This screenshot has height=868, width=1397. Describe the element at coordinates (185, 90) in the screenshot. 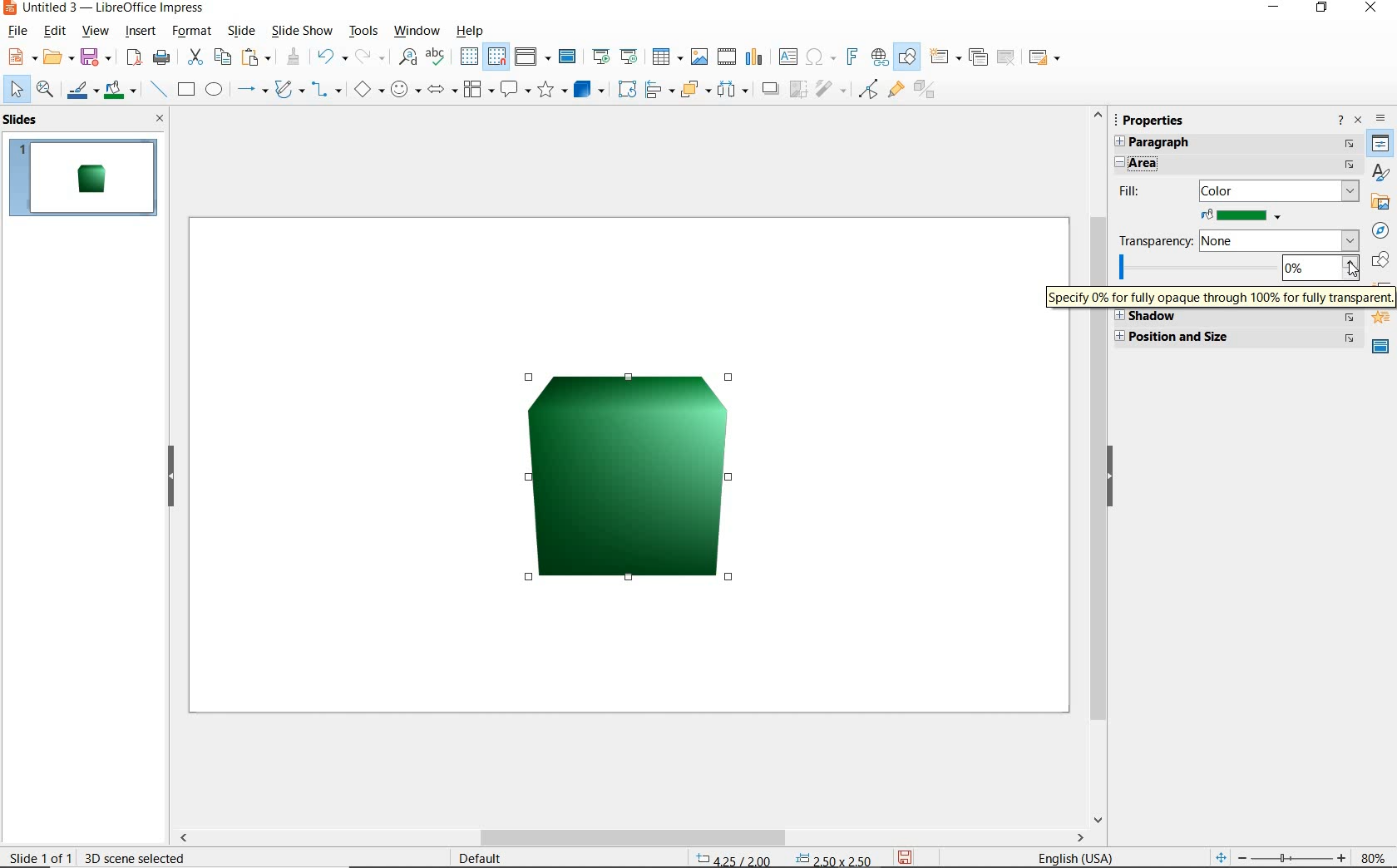

I see `rectangle` at that location.